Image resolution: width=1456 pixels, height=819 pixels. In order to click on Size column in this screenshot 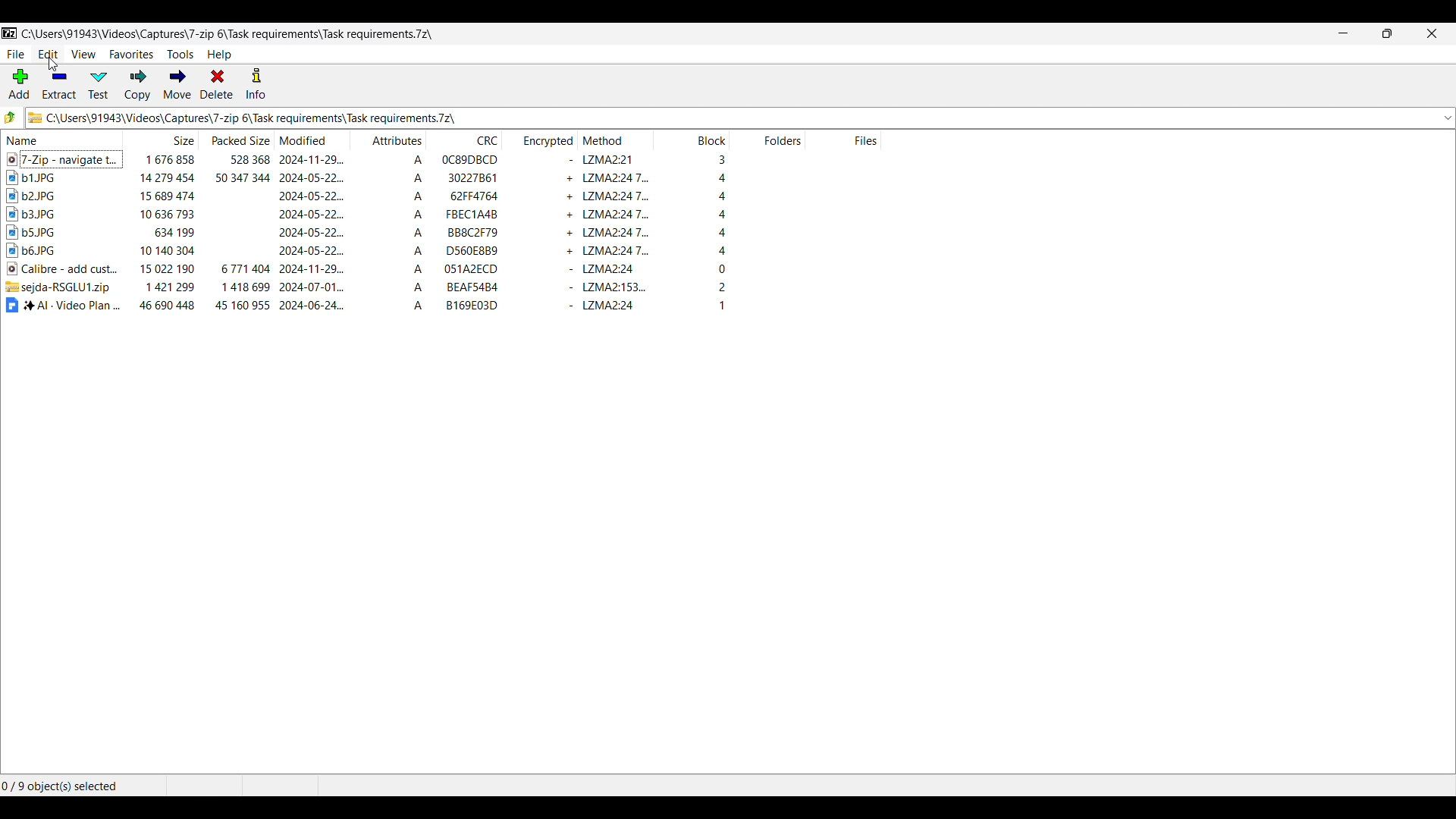, I will do `click(162, 139)`.